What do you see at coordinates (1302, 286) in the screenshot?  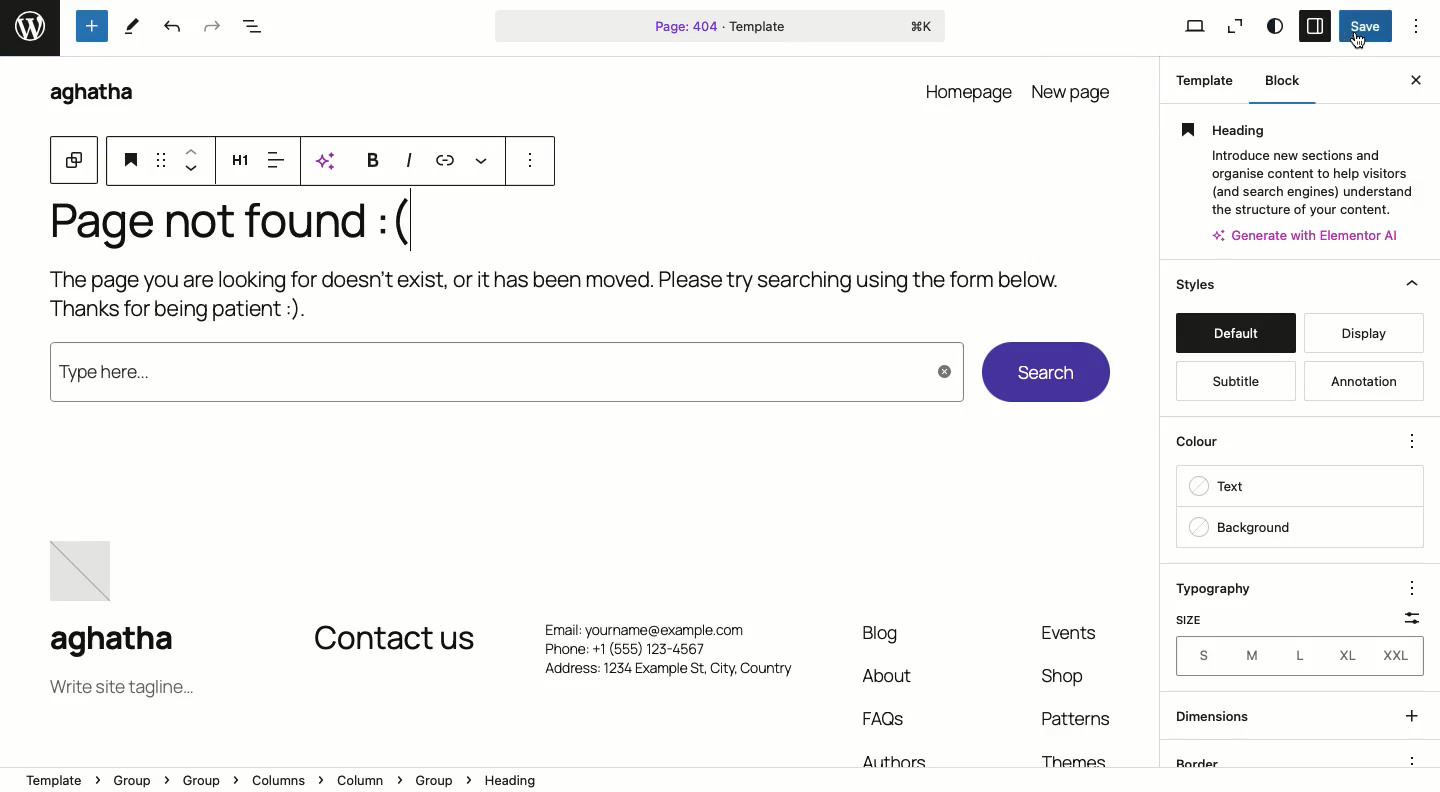 I see `Styles` at bounding box center [1302, 286].